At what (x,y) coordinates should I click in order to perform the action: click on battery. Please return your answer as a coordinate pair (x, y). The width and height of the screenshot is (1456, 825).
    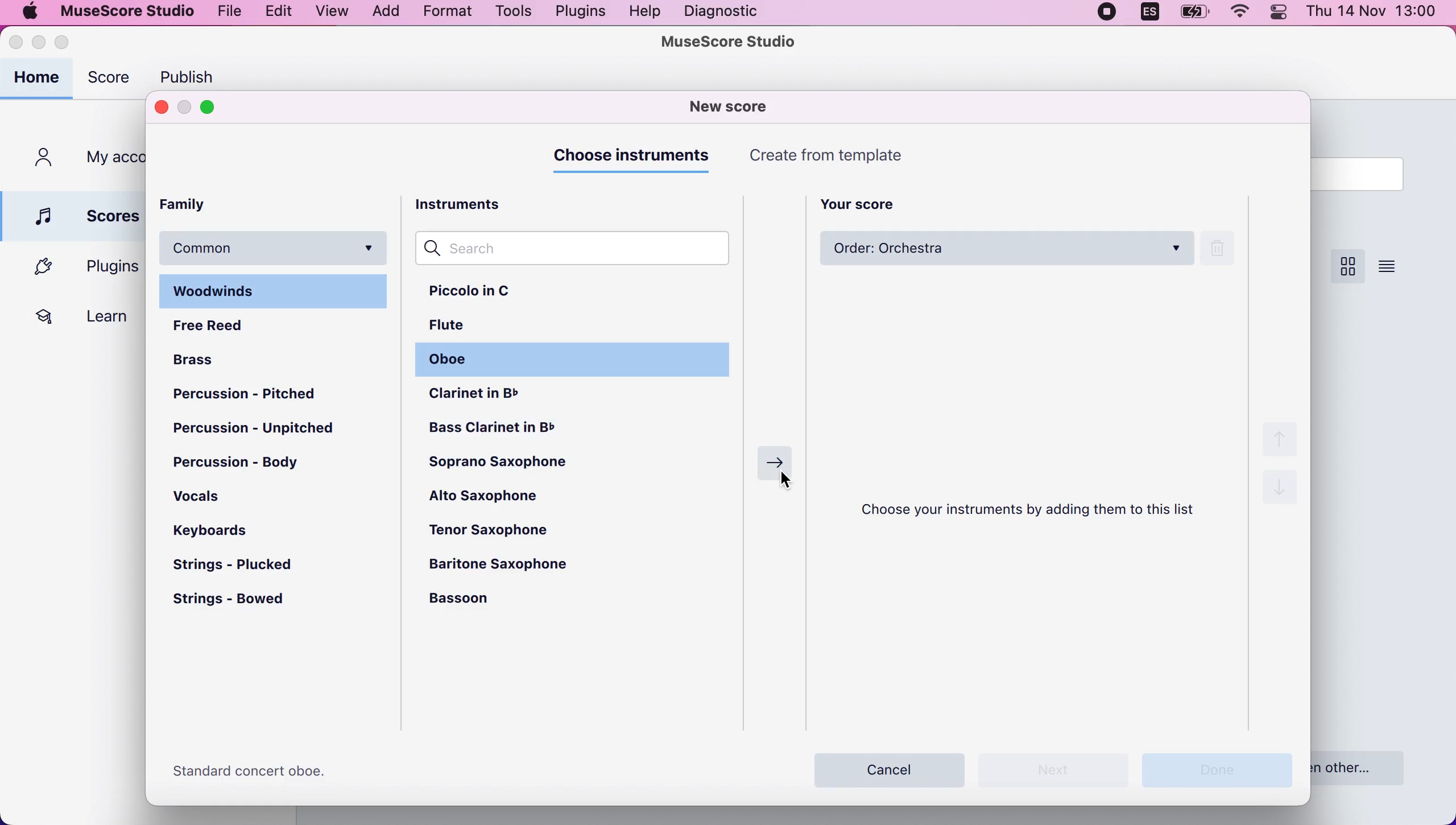
    Looking at the image, I should click on (1195, 16).